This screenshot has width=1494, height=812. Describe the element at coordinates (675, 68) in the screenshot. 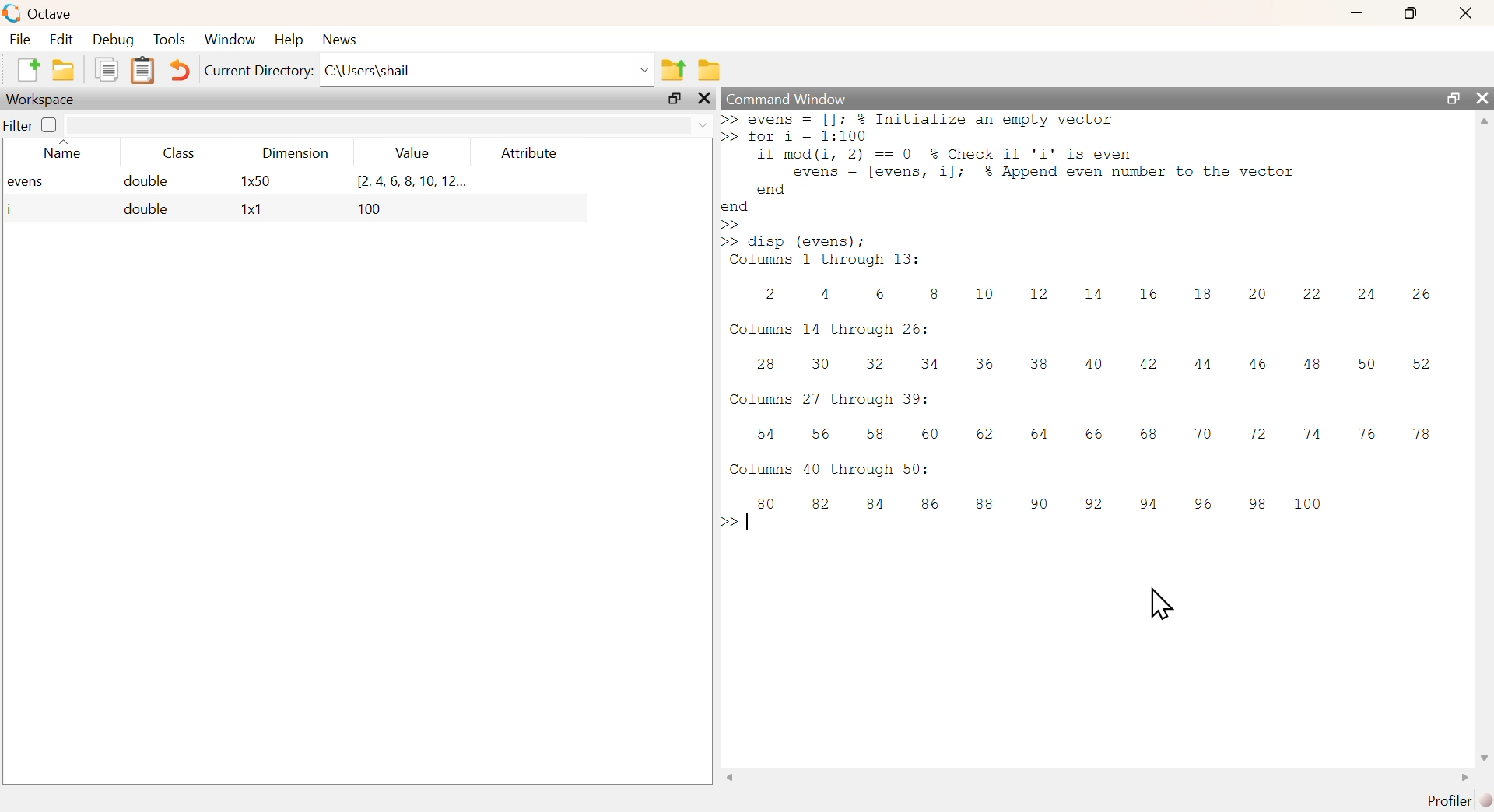

I see `one directory up` at that location.